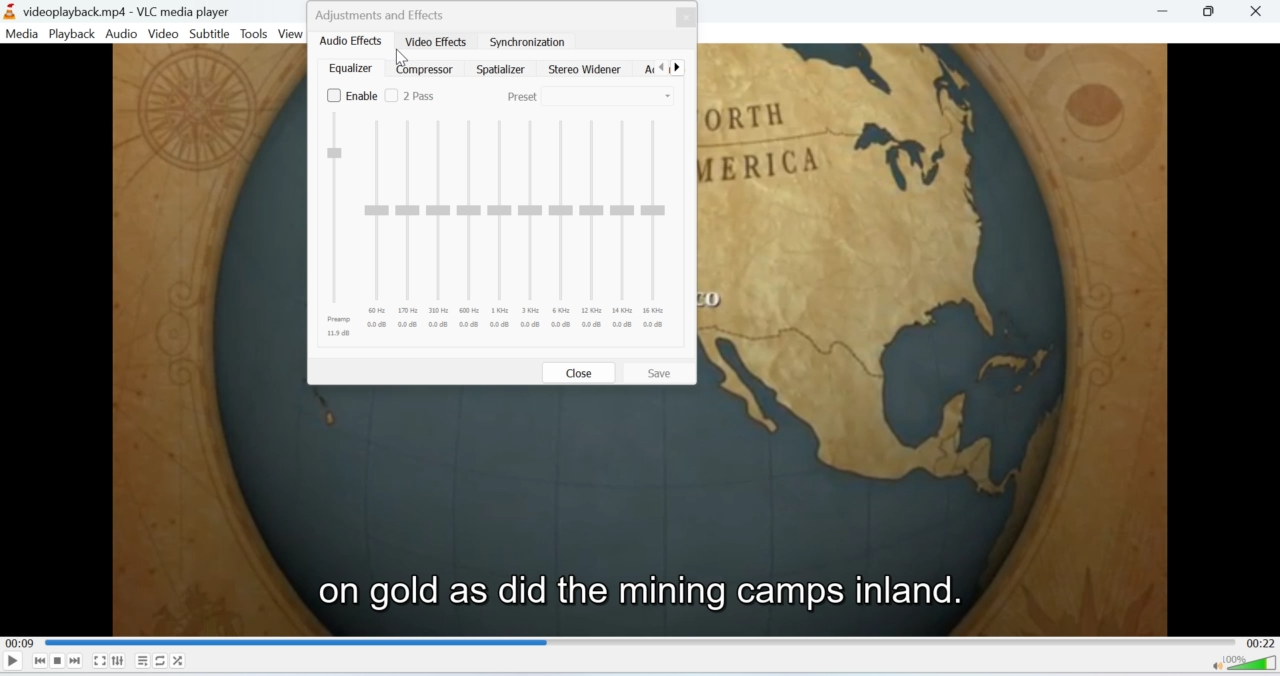  I want to click on Shuffle, so click(178, 661).